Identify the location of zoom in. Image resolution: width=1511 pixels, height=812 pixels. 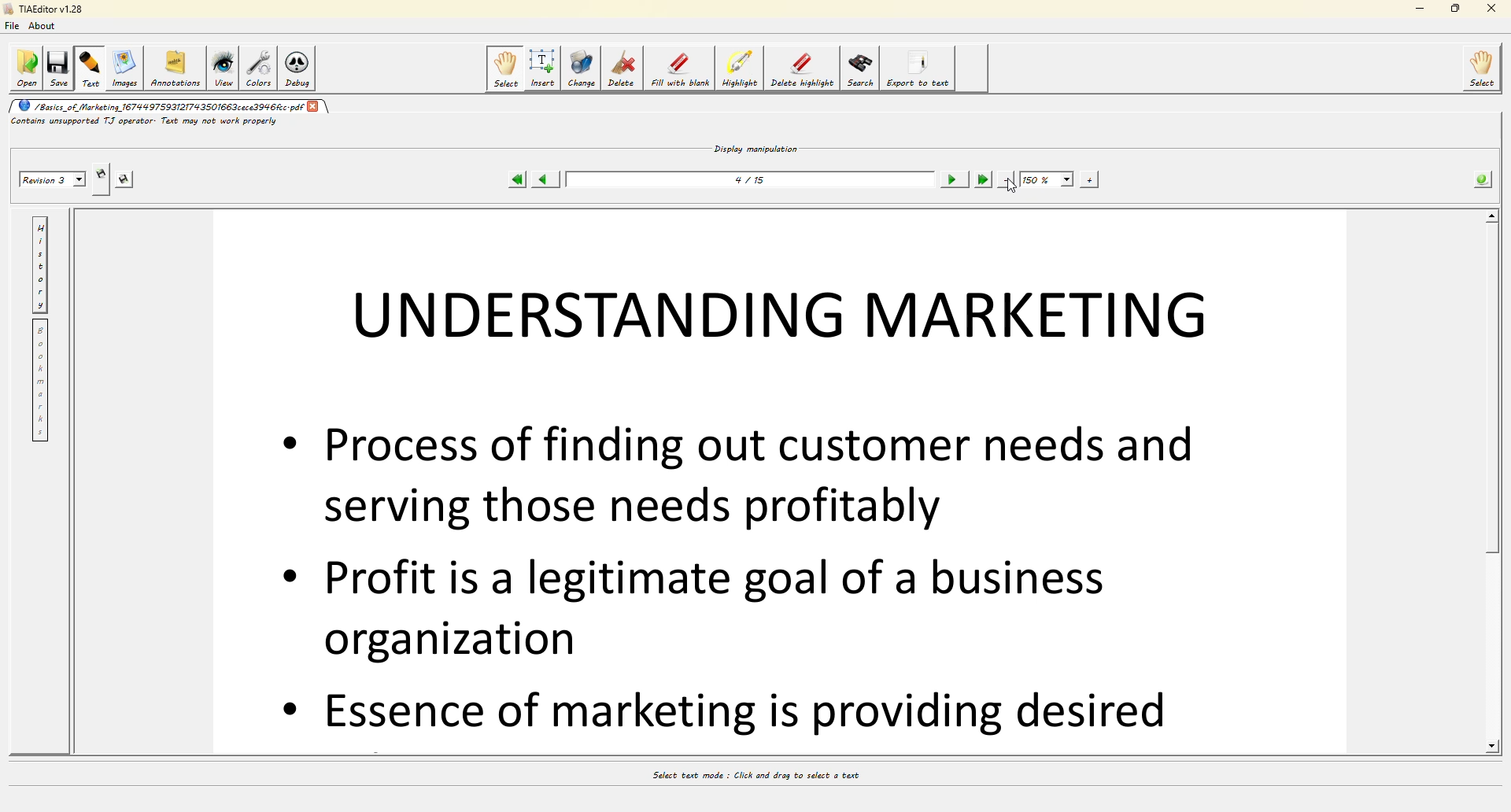
(1088, 180).